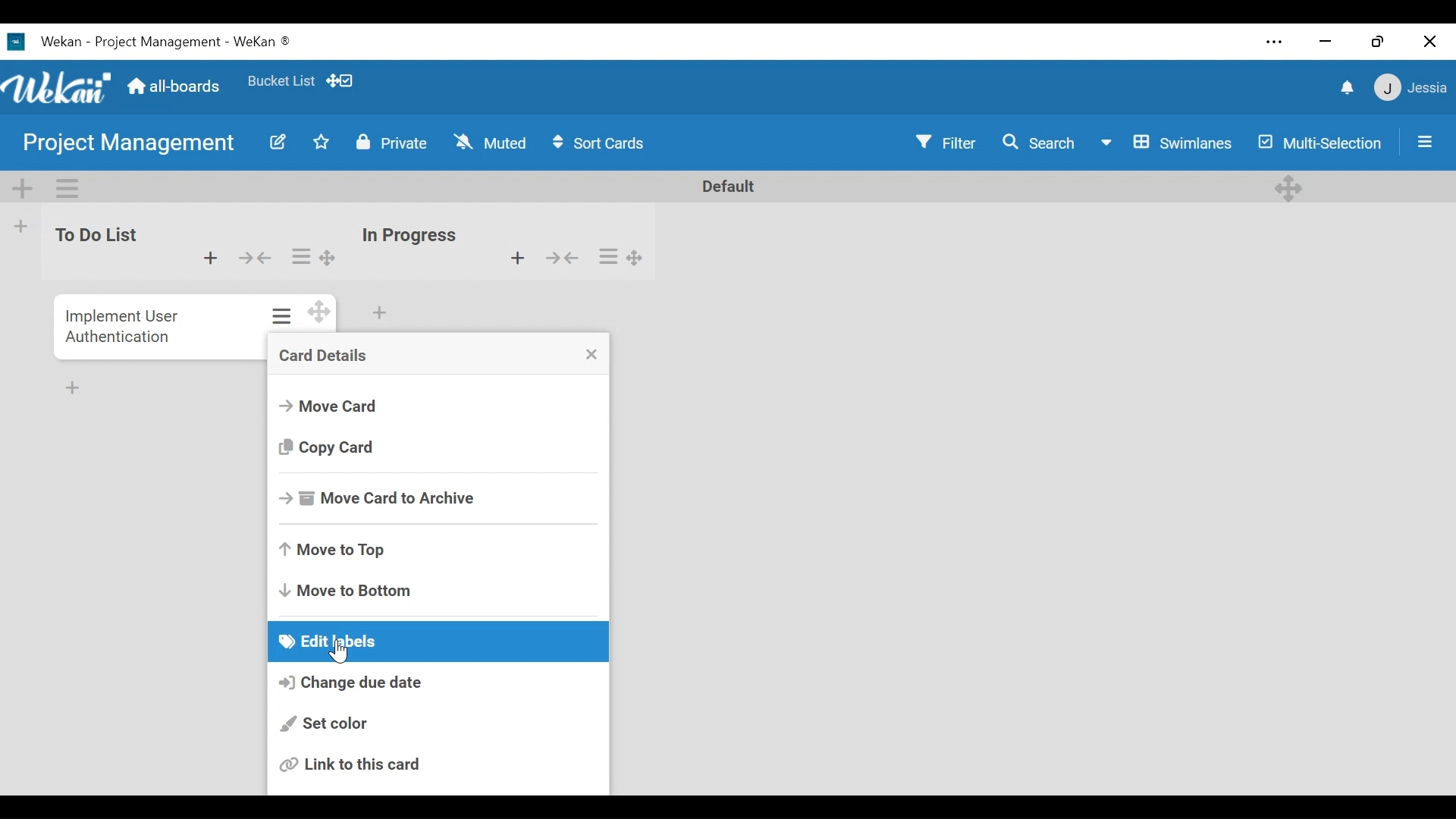 The width and height of the screenshot is (1456, 819). Describe the element at coordinates (564, 259) in the screenshot. I see `collapse` at that location.